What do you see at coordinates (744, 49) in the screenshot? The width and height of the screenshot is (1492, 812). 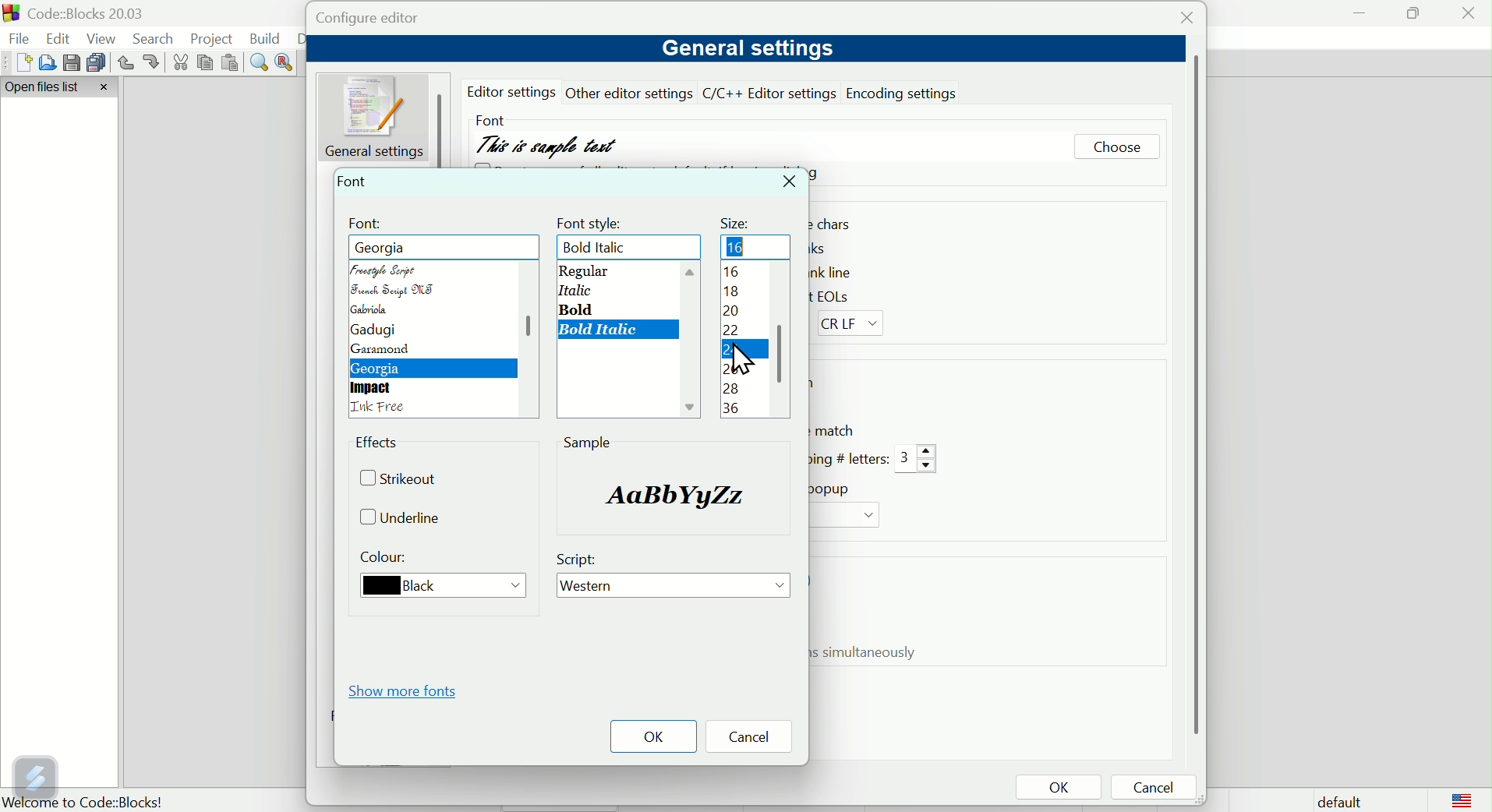 I see `General settings` at bounding box center [744, 49].